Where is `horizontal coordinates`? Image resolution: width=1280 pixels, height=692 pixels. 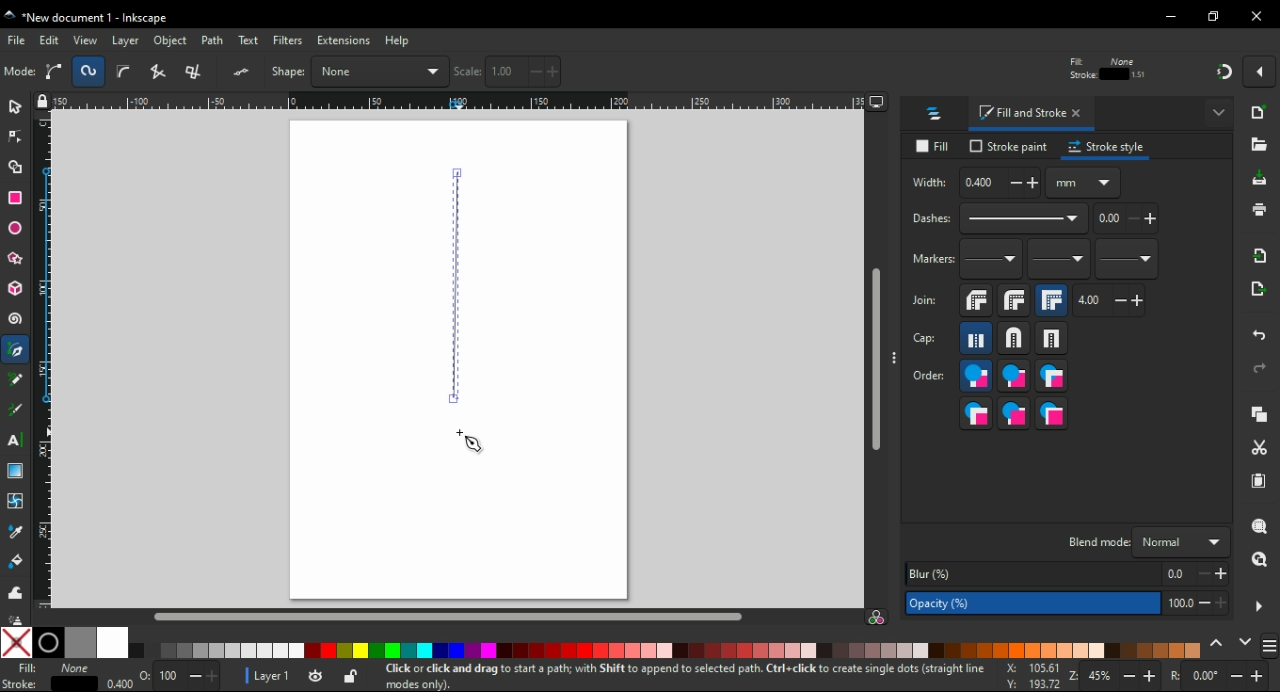 horizontal coordinates is located at coordinates (522, 72).